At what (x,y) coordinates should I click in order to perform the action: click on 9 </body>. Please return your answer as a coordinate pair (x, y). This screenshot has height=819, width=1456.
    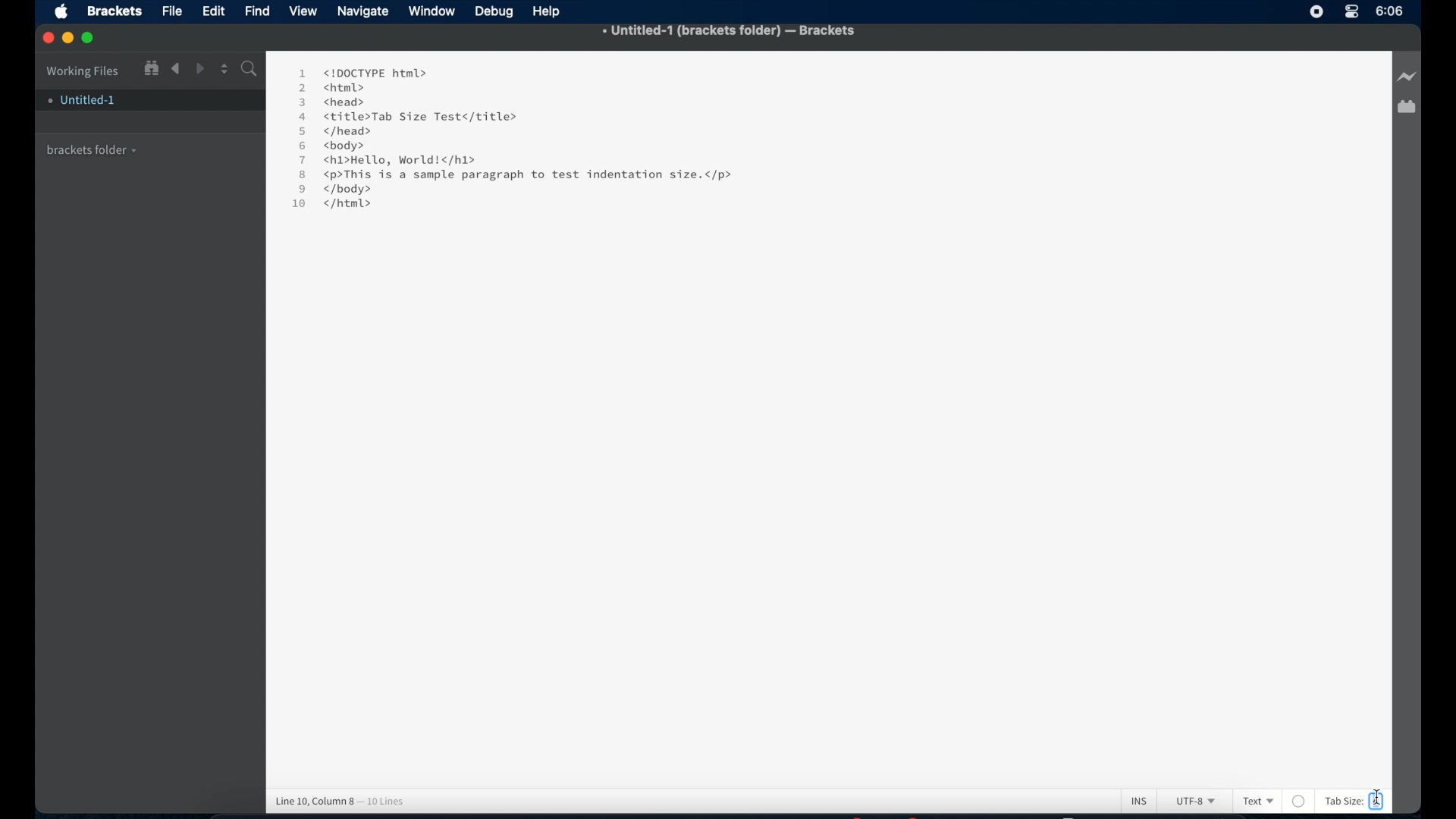
    Looking at the image, I should click on (346, 189).